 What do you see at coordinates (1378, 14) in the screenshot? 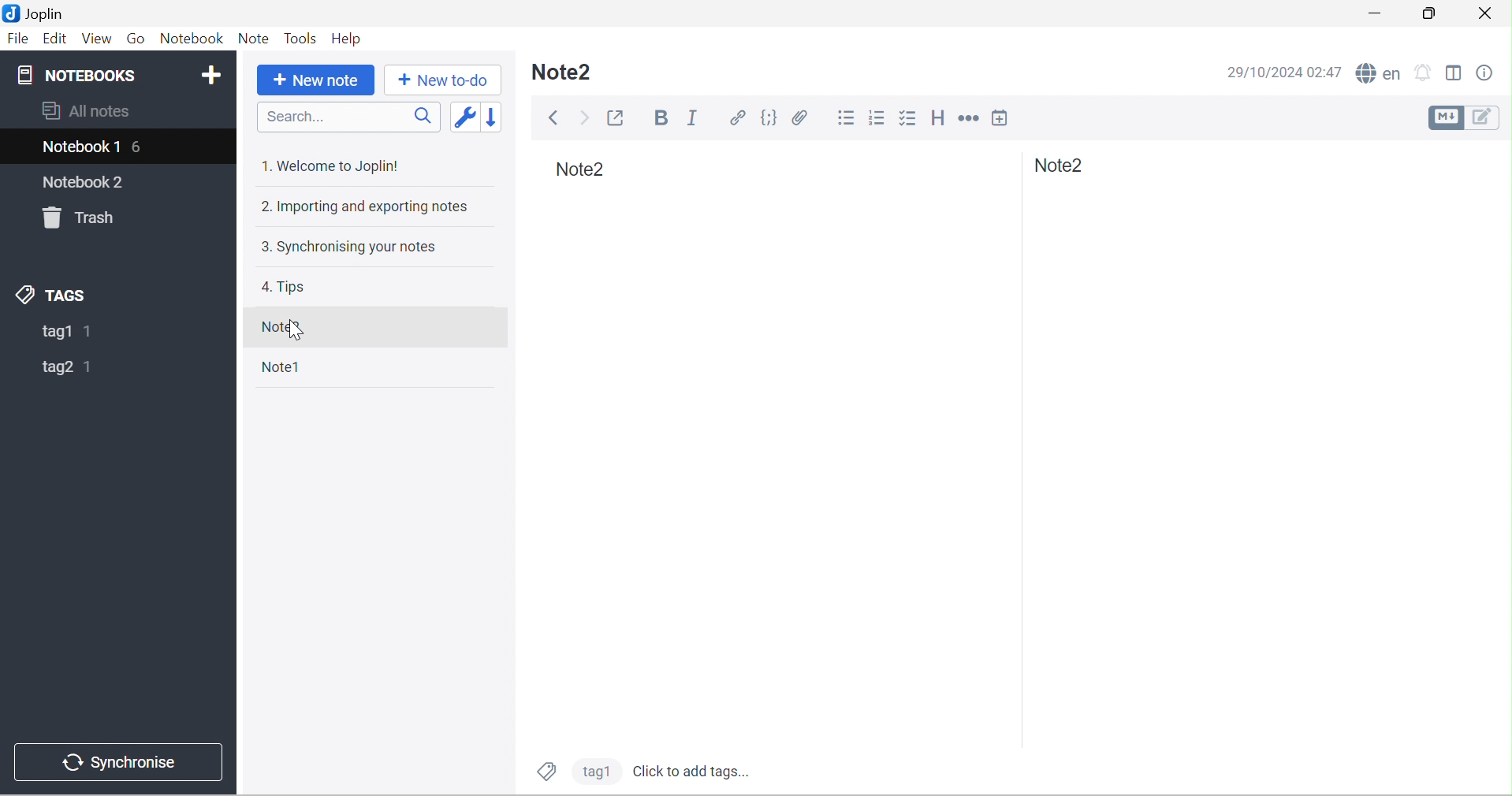
I see `Minimize` at bounding box center [1378, 14].